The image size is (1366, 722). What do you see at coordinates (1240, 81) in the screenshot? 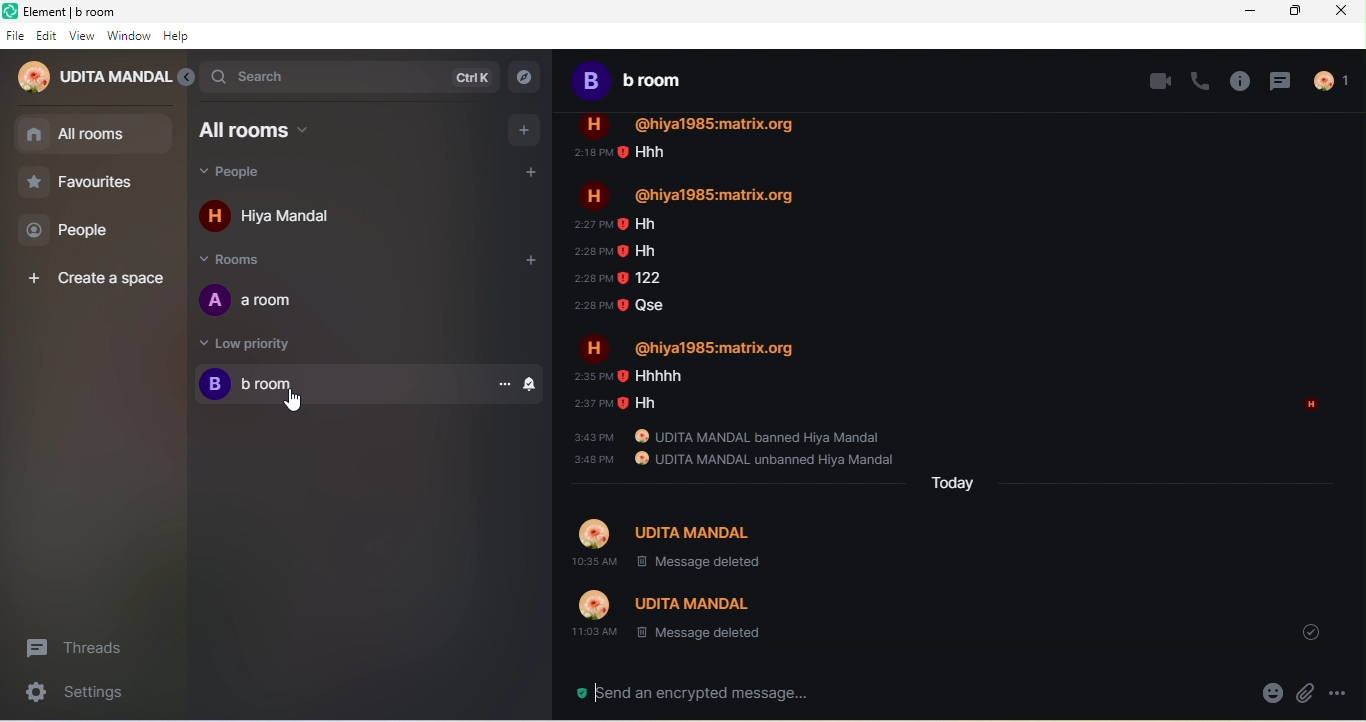
I see `room info` at bounding box center [1240, 81].